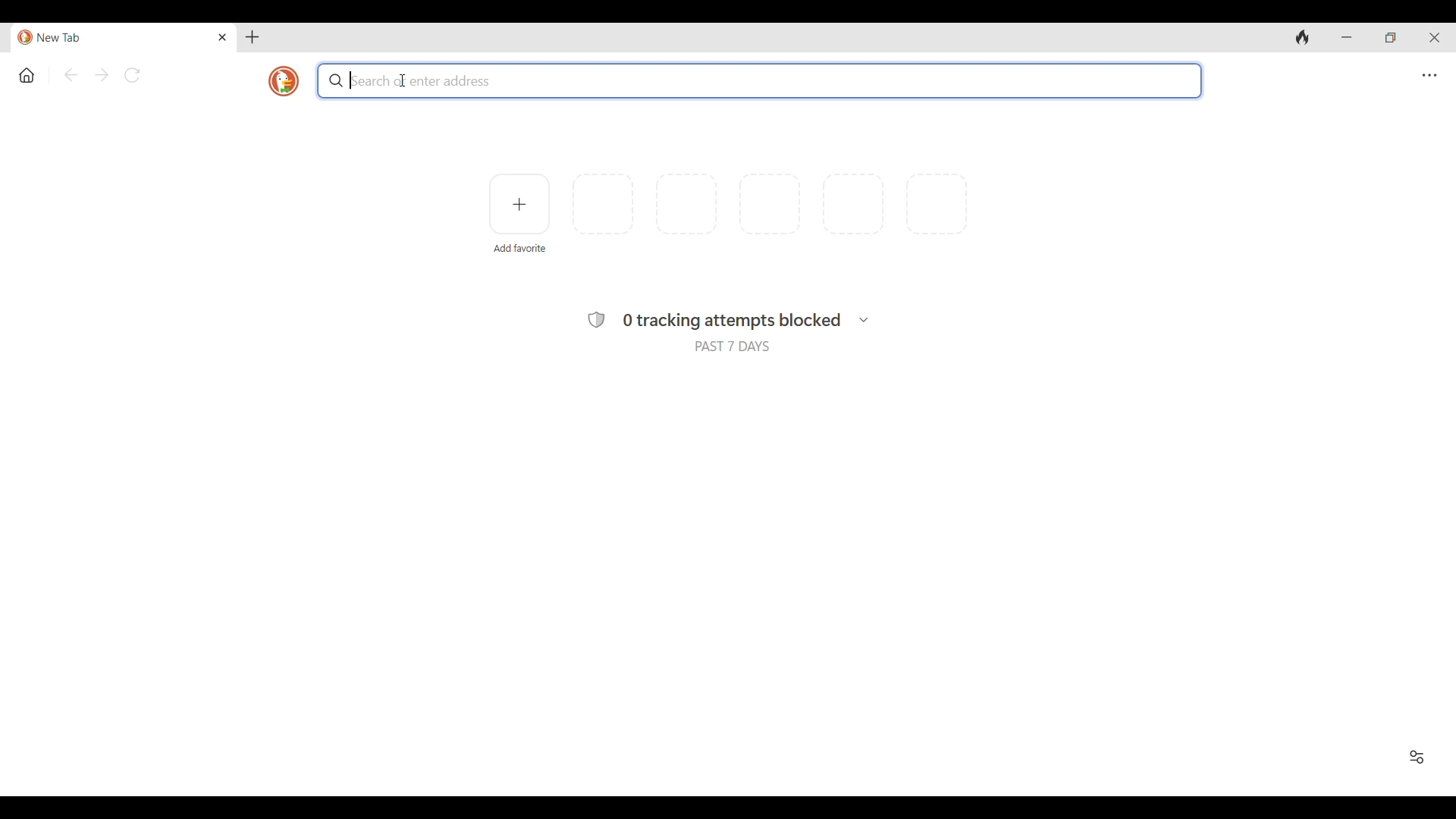 This screenshot has height=819, width=1456. I want to click on Close tab, so click(223, 37).